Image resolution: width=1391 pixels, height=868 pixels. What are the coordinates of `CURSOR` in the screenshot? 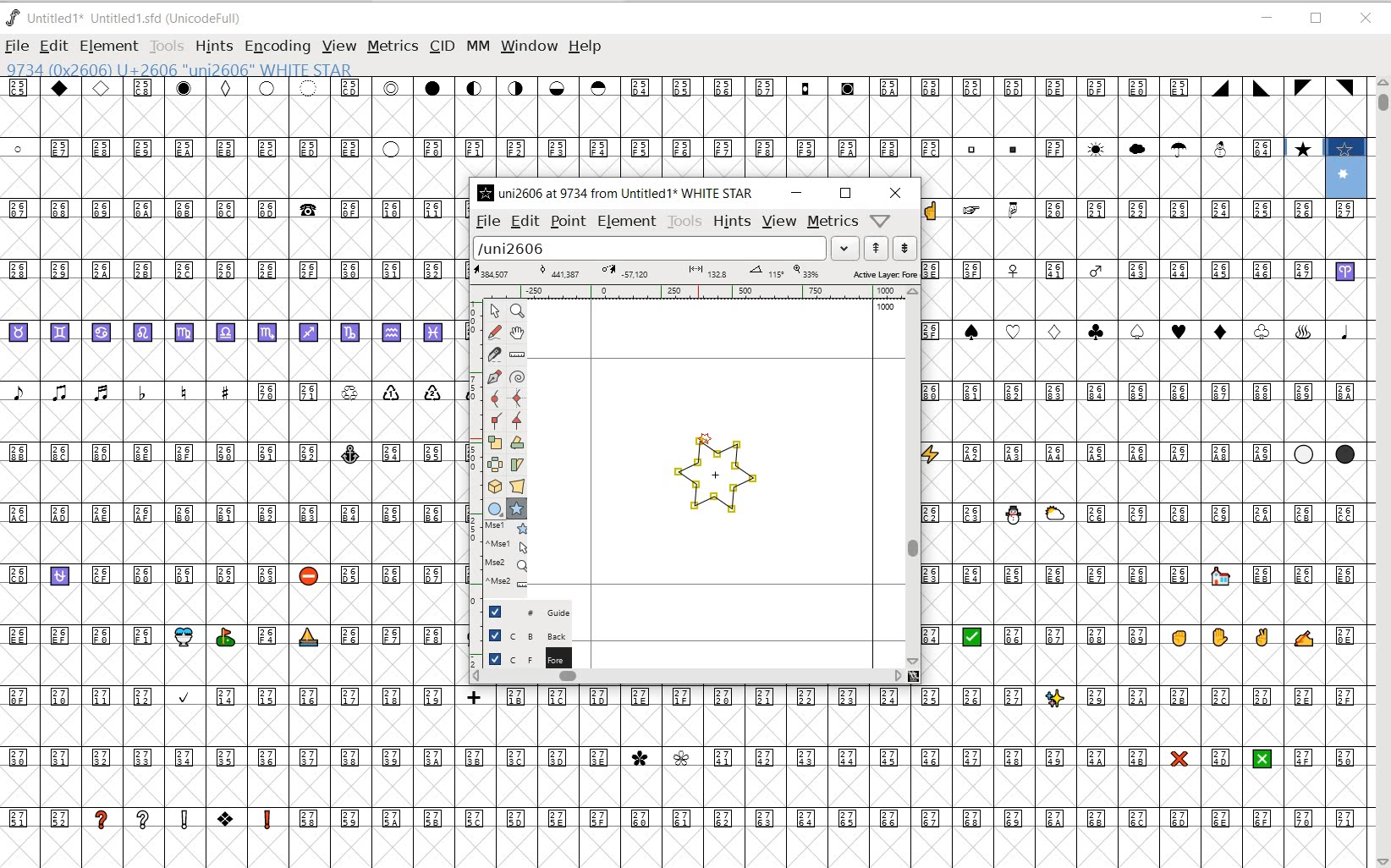 It's located at (879, 64).